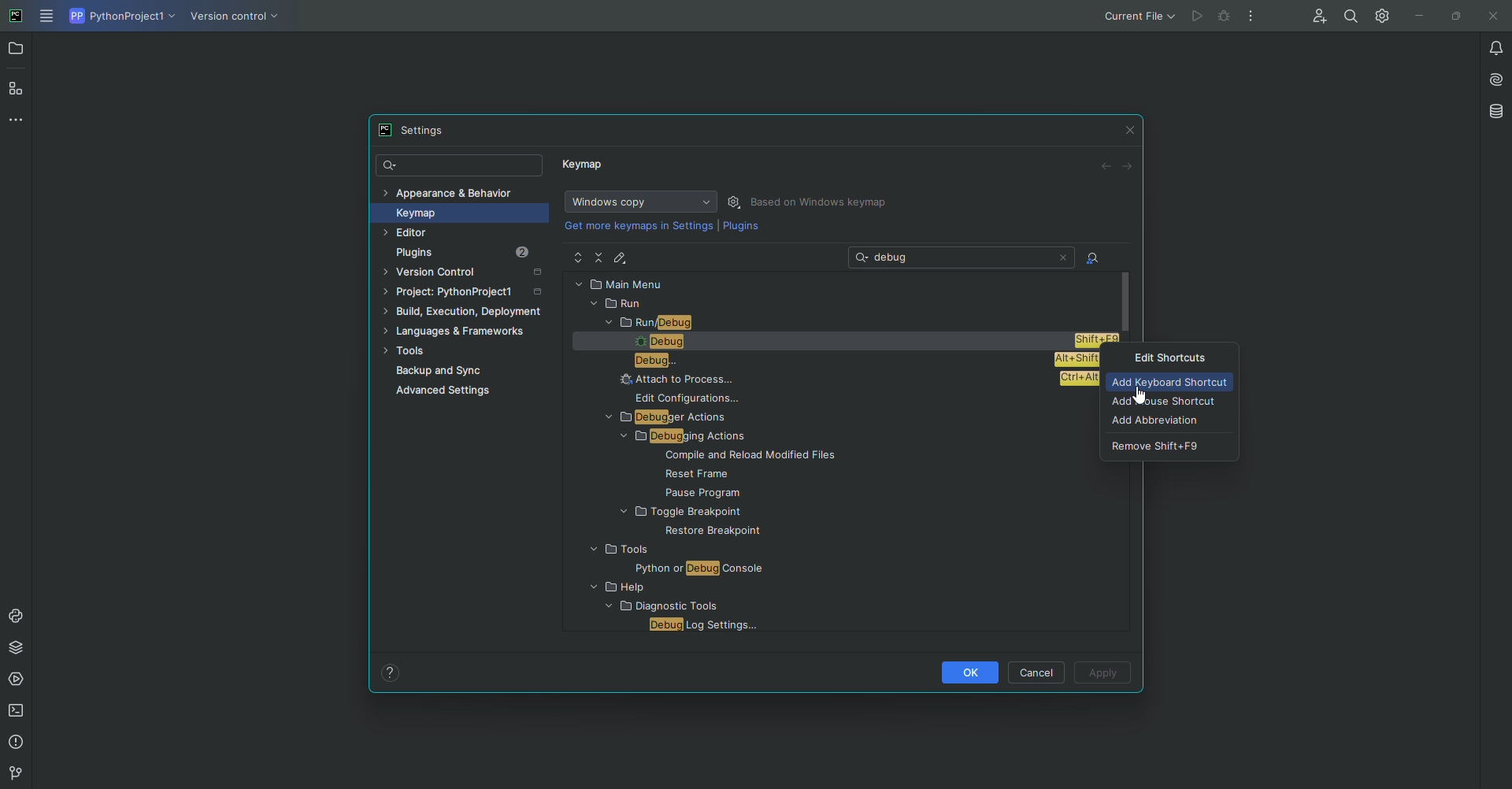 The height and width of the screenshot is (789, 1512). Describe the element at coordinates (623, 257) in the screenshot. I see `Edit` at that location.